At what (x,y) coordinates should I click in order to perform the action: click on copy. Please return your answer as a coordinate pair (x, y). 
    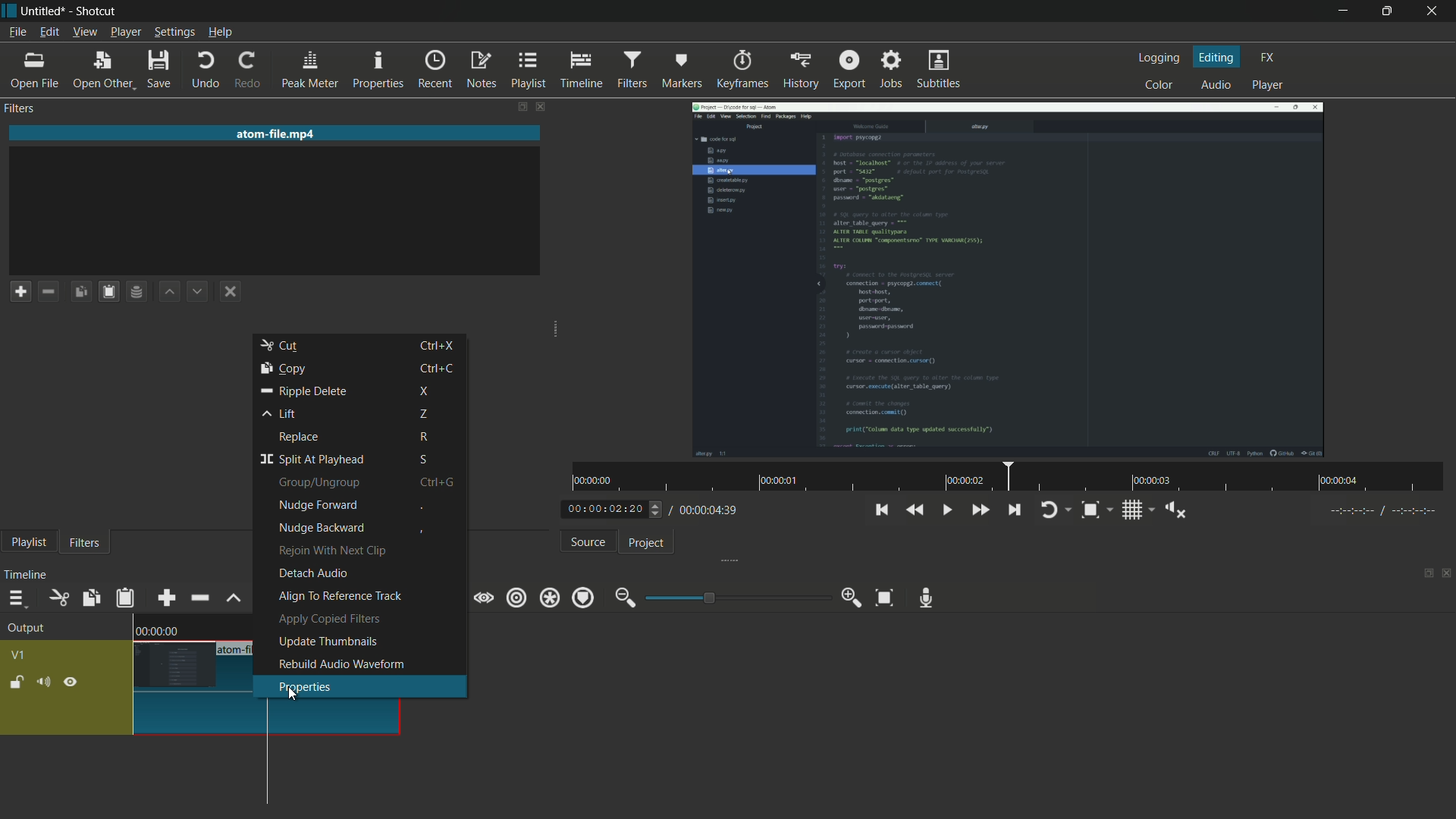
    Looking at the image, I should click on (89, 598).